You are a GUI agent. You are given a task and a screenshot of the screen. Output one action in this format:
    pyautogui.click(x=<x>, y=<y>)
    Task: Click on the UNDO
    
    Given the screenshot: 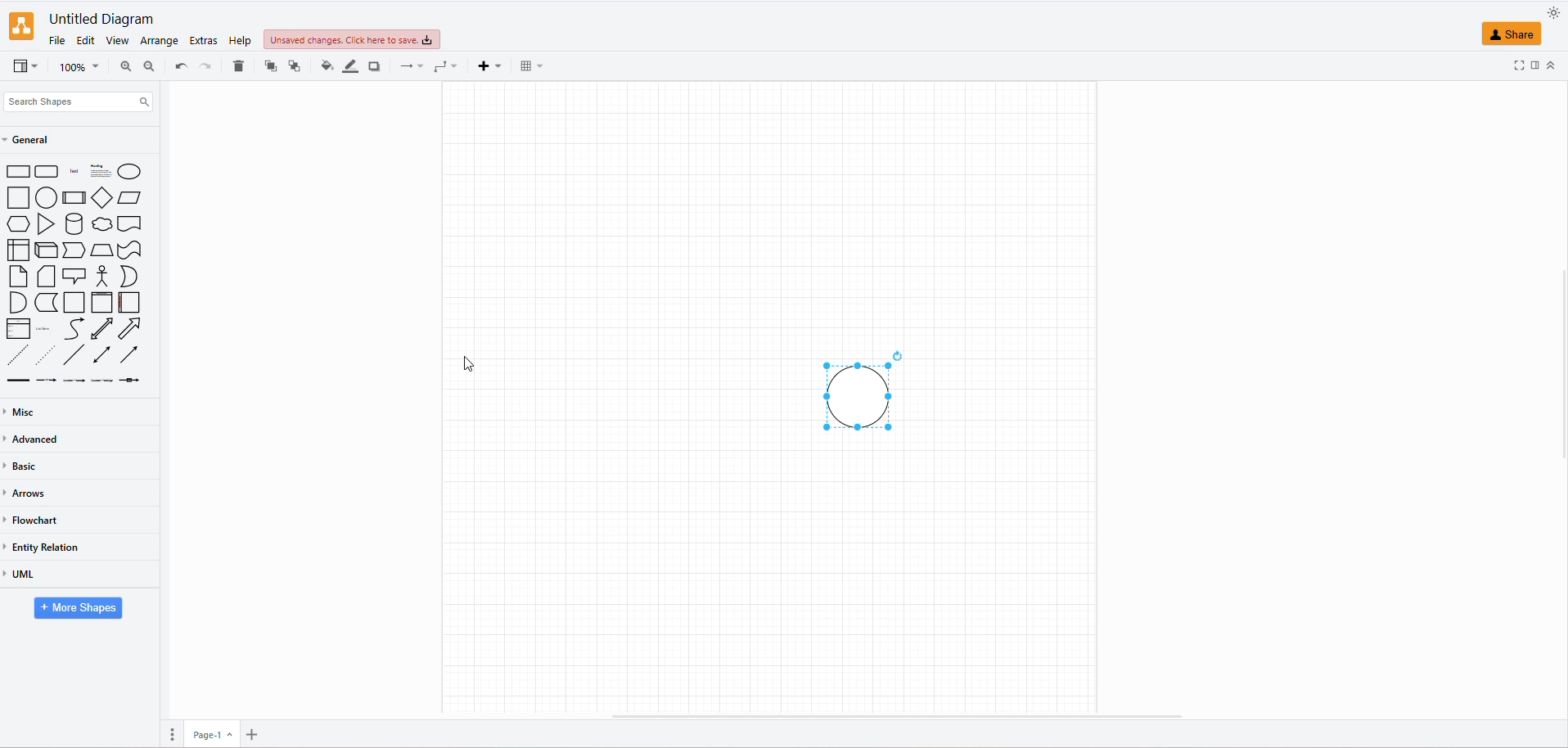 What is the action you would take?
    pyautogui.click(x=179, y=67)
    